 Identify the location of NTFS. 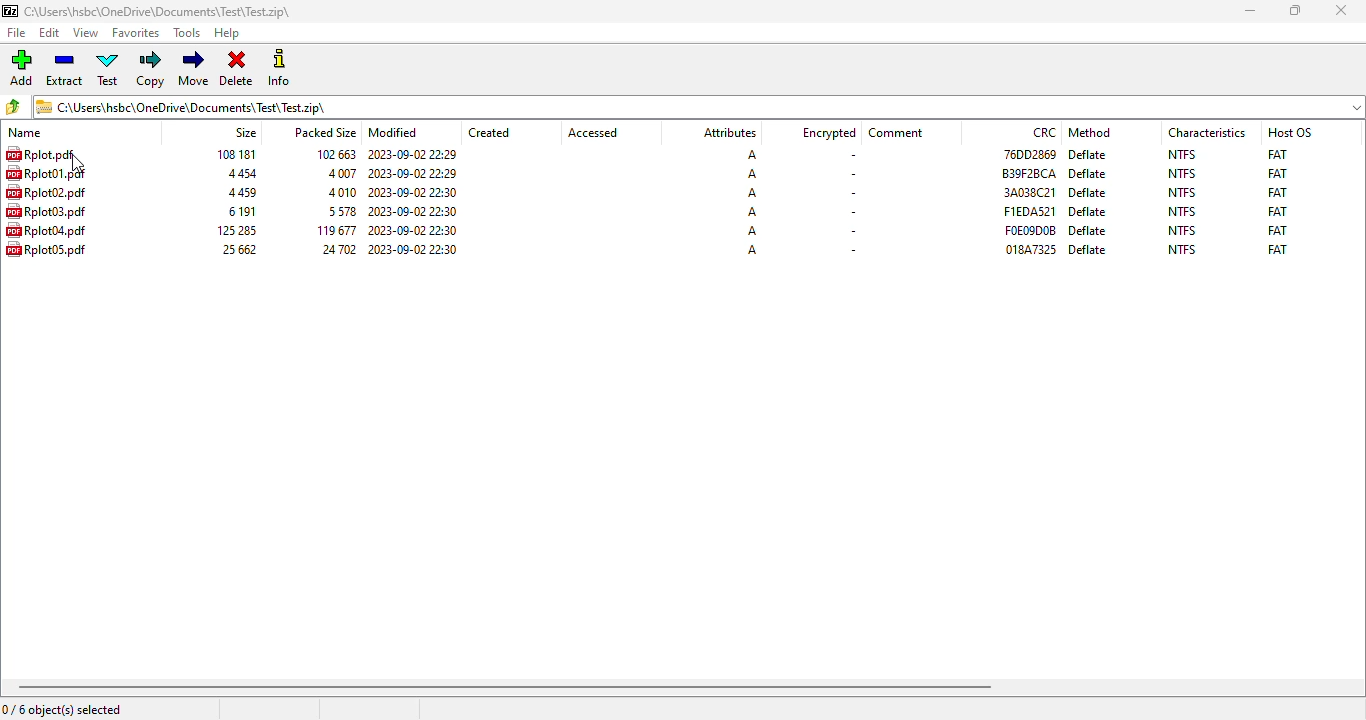
(1182, 211).